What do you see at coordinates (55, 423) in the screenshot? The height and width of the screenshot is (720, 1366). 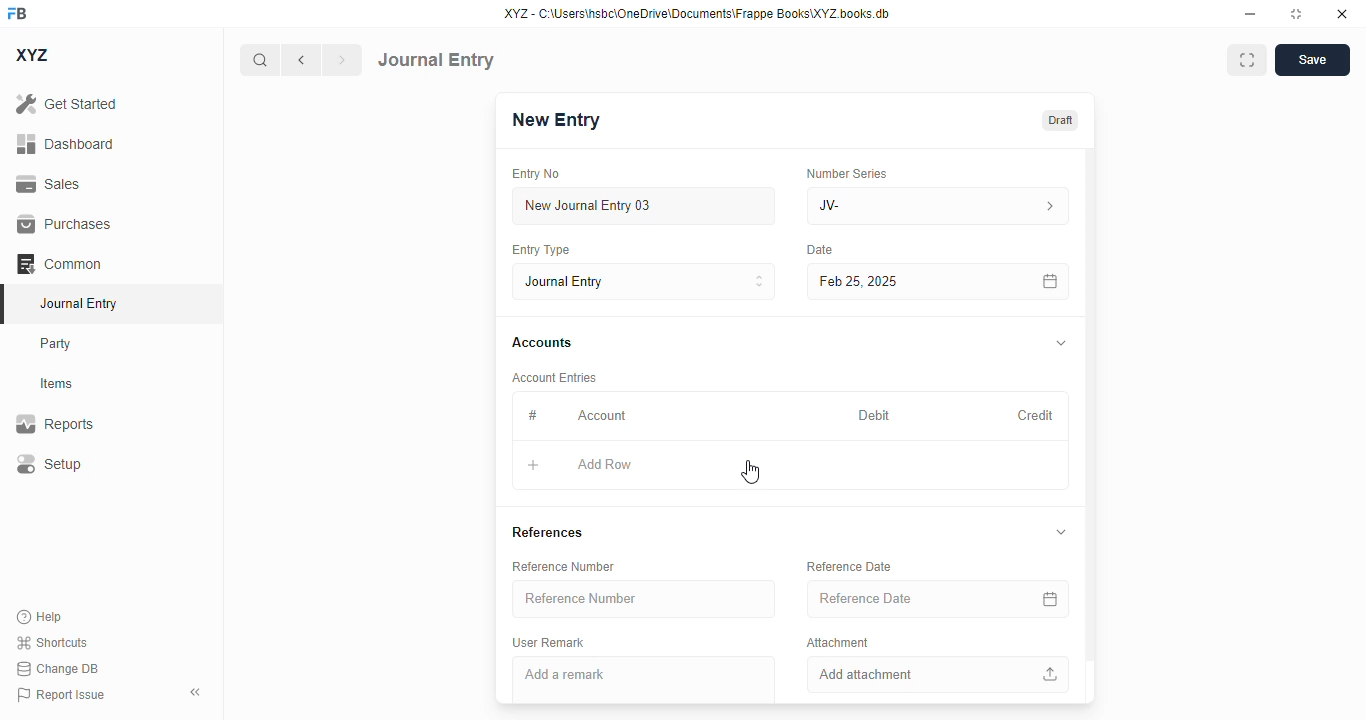 I see `reports` at bounding box center [55, 423].